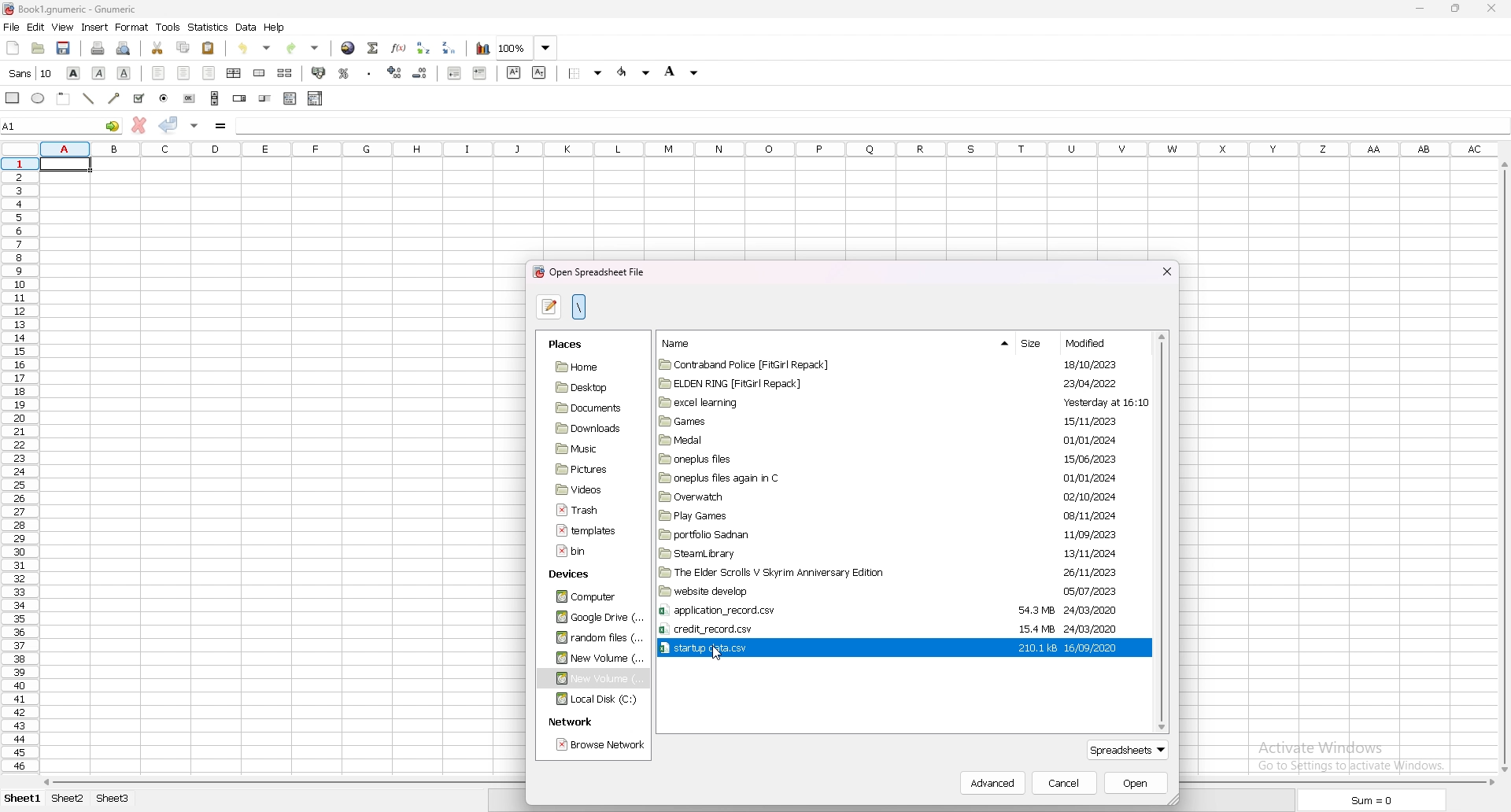 Image resolution: width=1511 pixels, height=812 pixels. What do you see at coordinates (588, 408) in the screenshot?
I see `folder` at bounding box center [588, 408].